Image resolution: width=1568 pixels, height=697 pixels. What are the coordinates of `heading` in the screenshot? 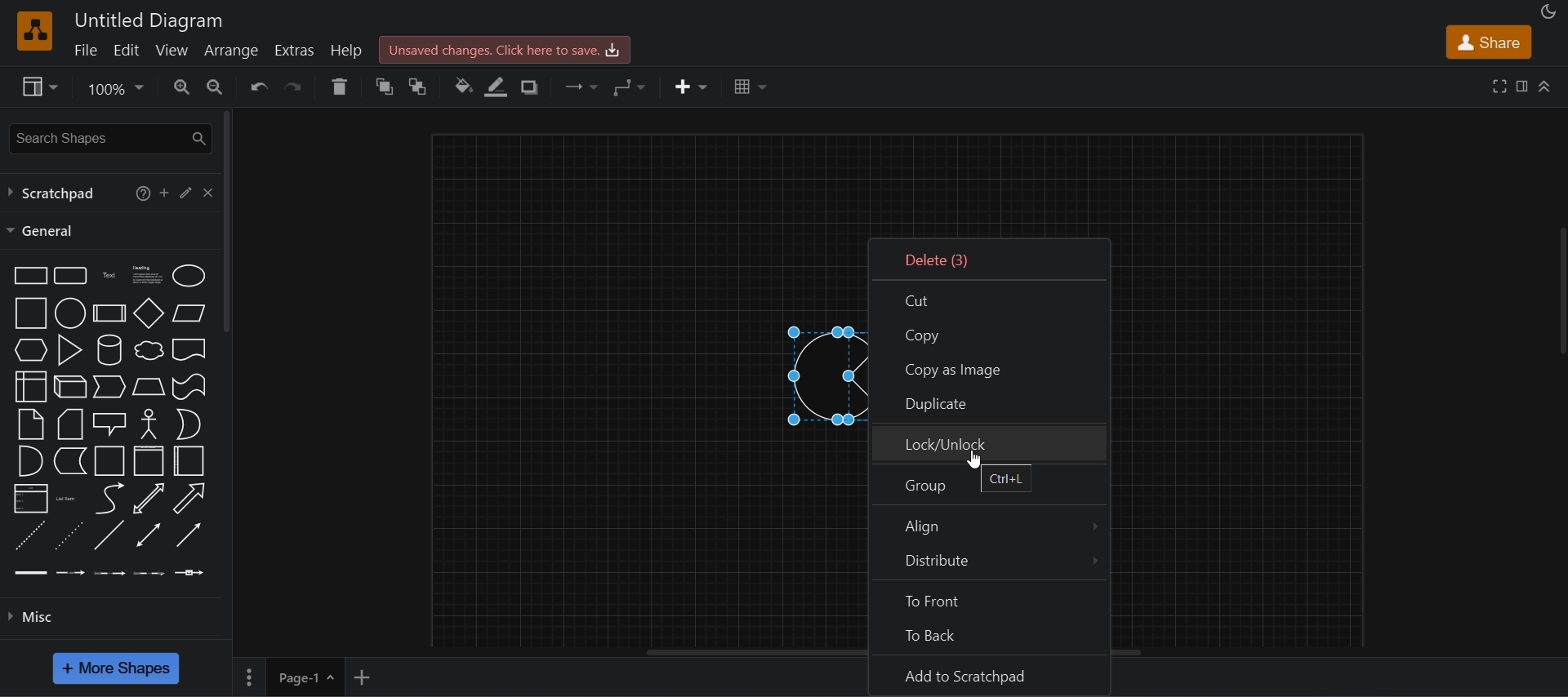 It's located at (146, 273).